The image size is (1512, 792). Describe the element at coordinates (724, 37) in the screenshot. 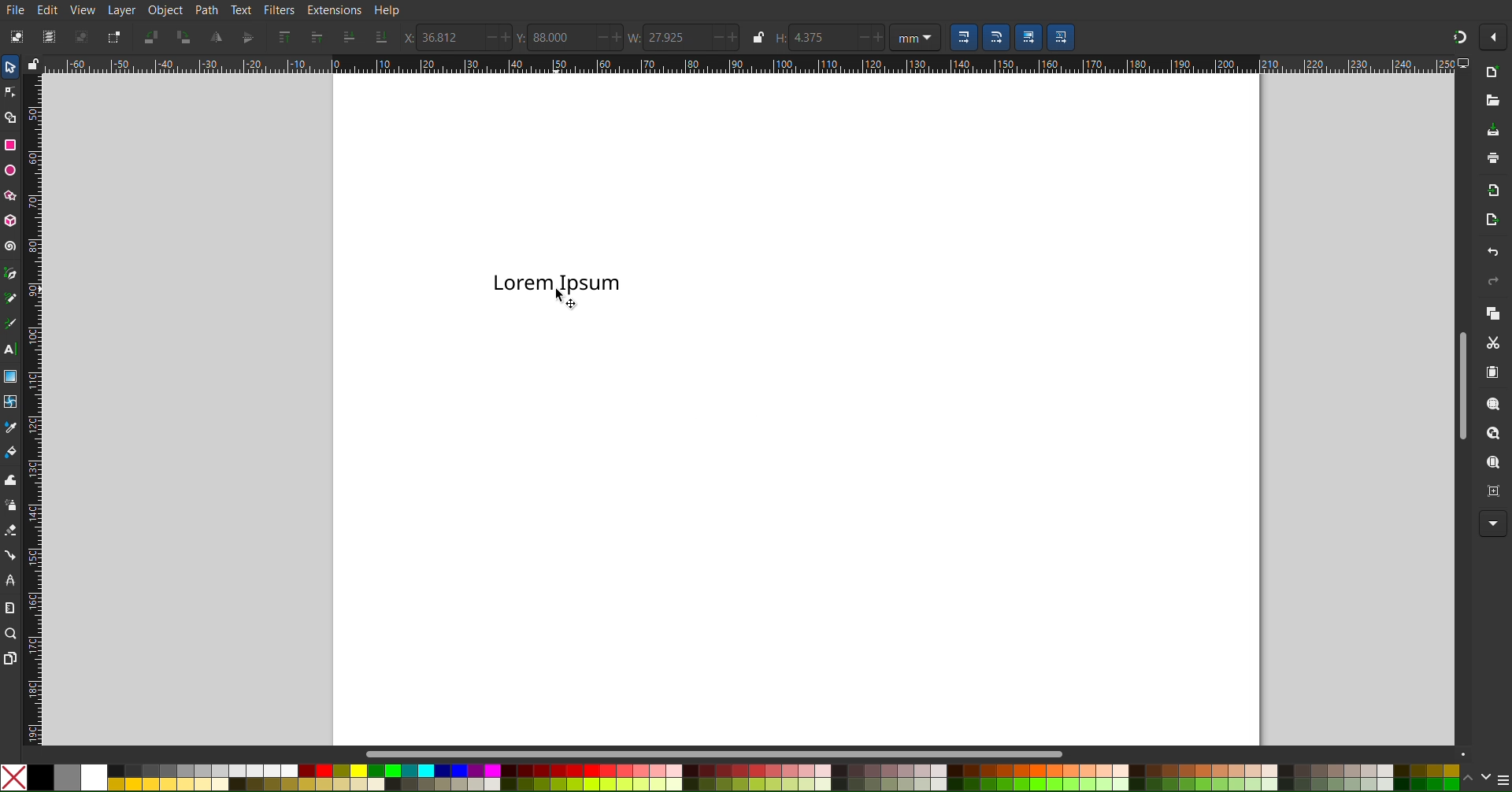

I see `increase/decrease` at that location.